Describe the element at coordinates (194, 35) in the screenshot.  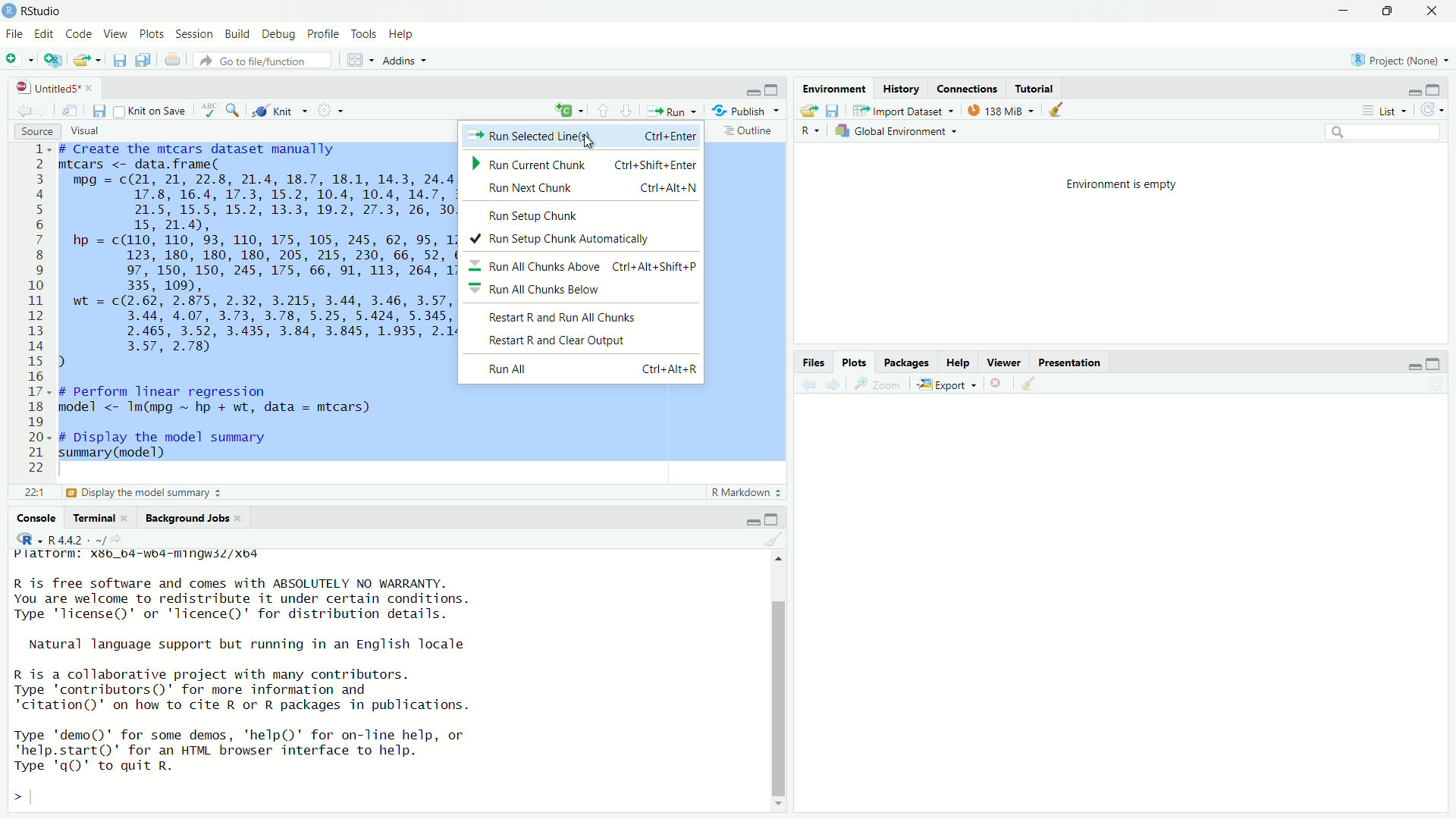
I see `session` at that location.